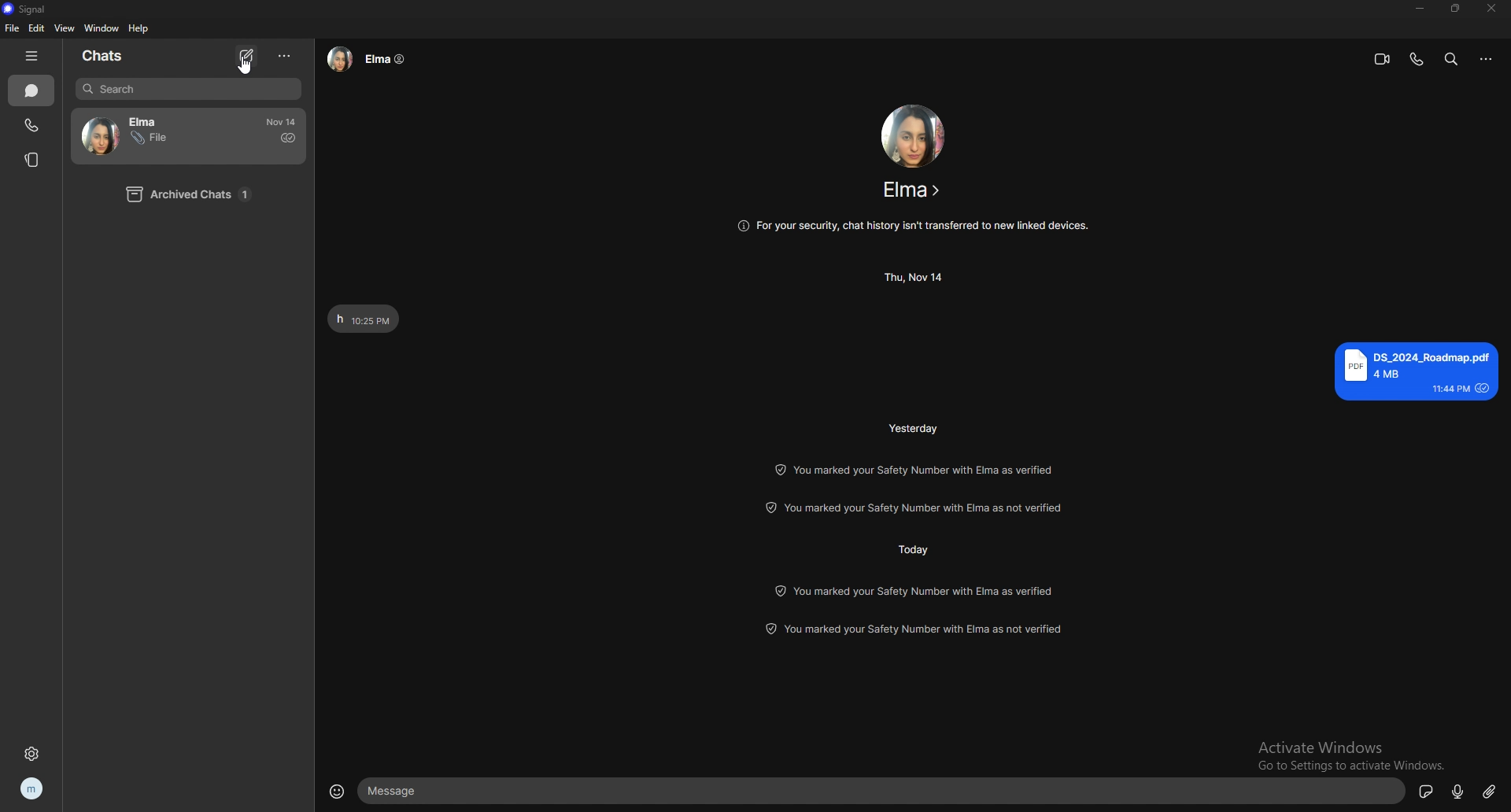  I want to click on delivered, so click(289, 138).